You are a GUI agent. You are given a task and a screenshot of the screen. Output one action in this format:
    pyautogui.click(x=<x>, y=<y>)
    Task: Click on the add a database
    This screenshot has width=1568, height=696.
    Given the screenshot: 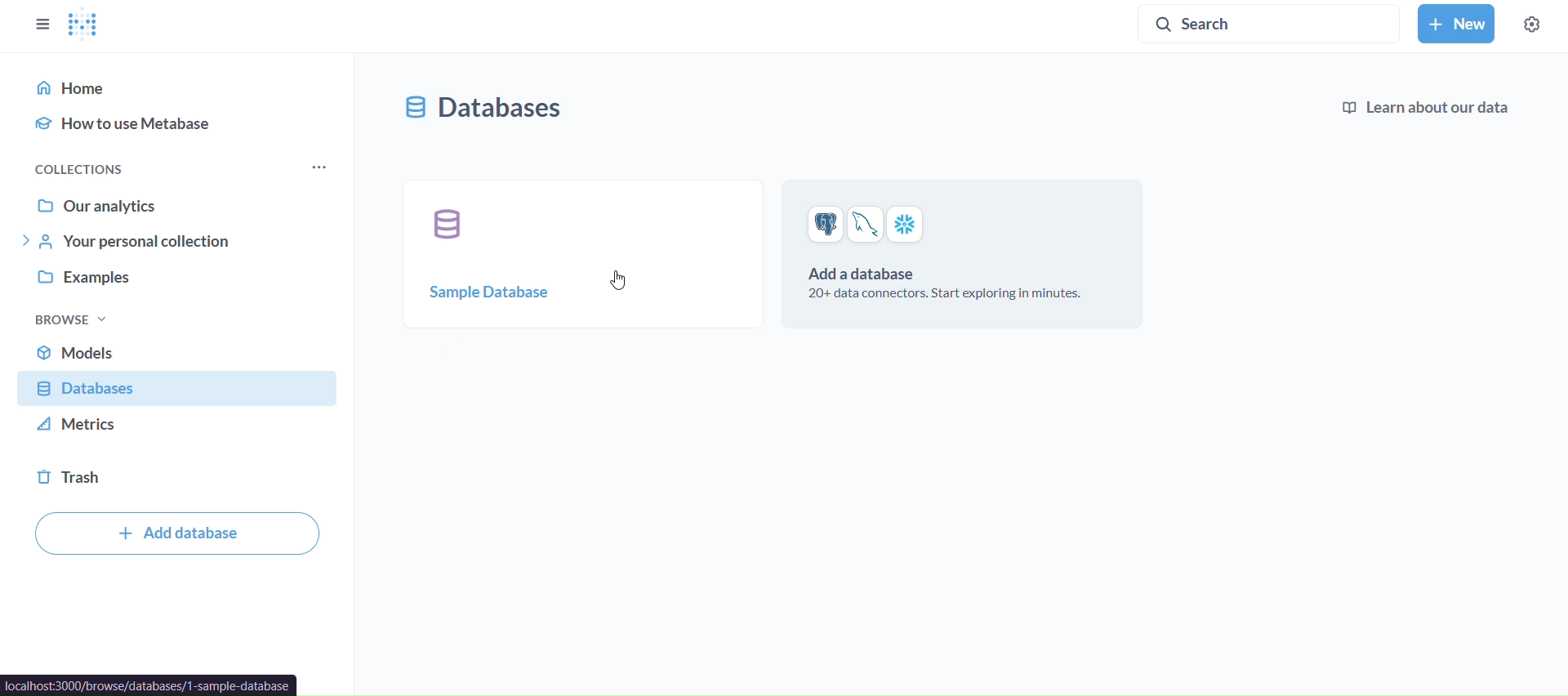 What is the action you would take?
    pyautogui.click(x=965, y=253)
    